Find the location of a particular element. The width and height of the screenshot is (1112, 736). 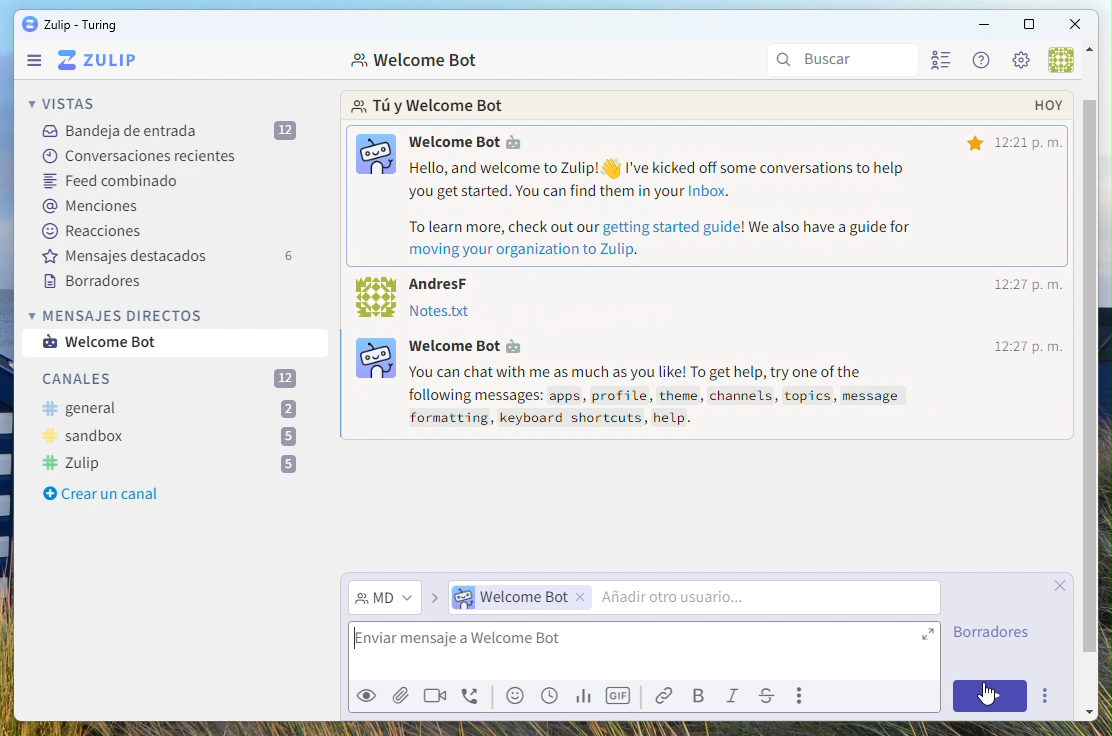

Feed is located at coordinates (114, 183).